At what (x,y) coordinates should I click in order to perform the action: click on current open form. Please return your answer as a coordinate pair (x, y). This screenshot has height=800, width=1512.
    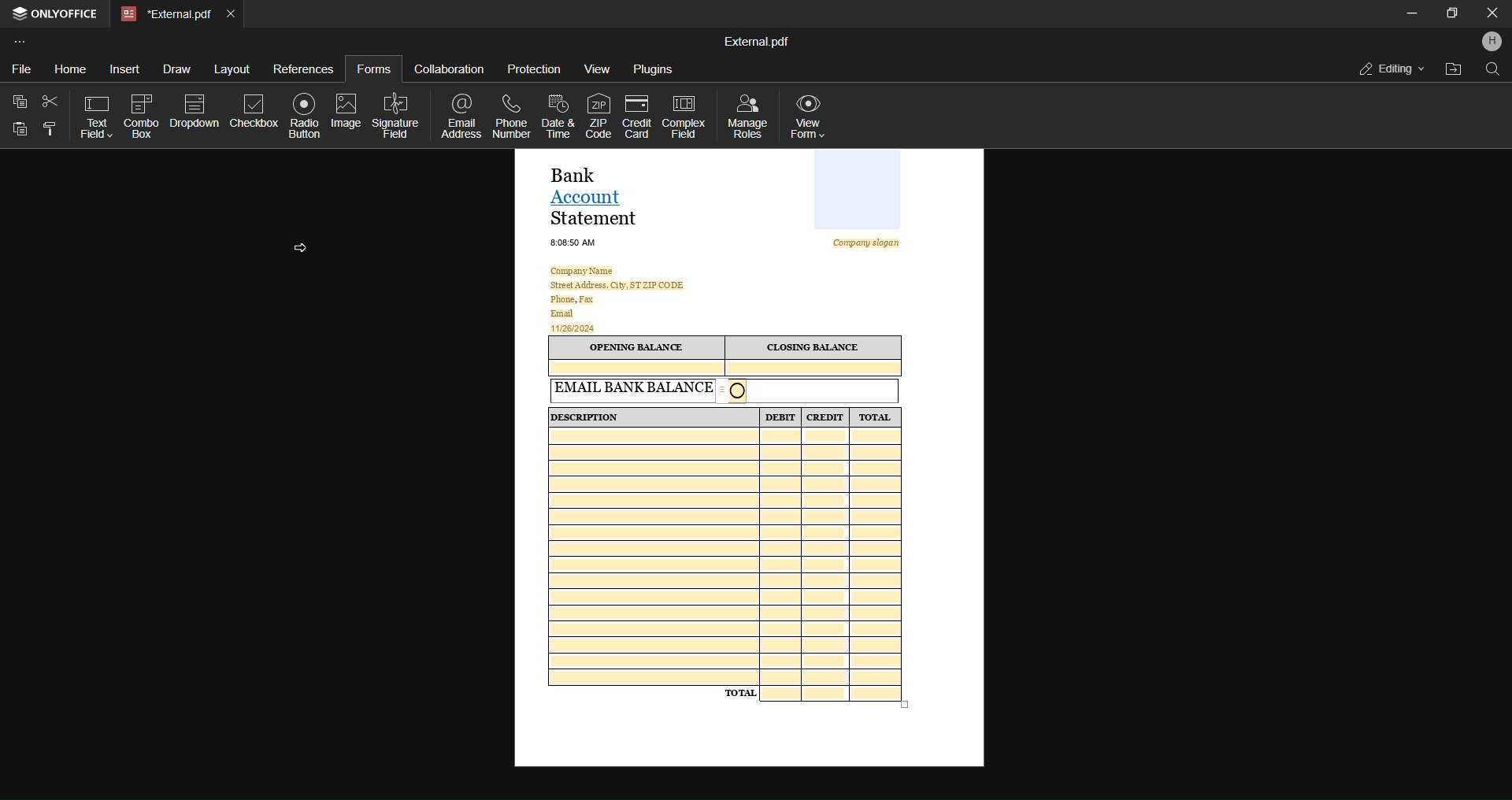
    Looking at the image, I should click on (755, 456).